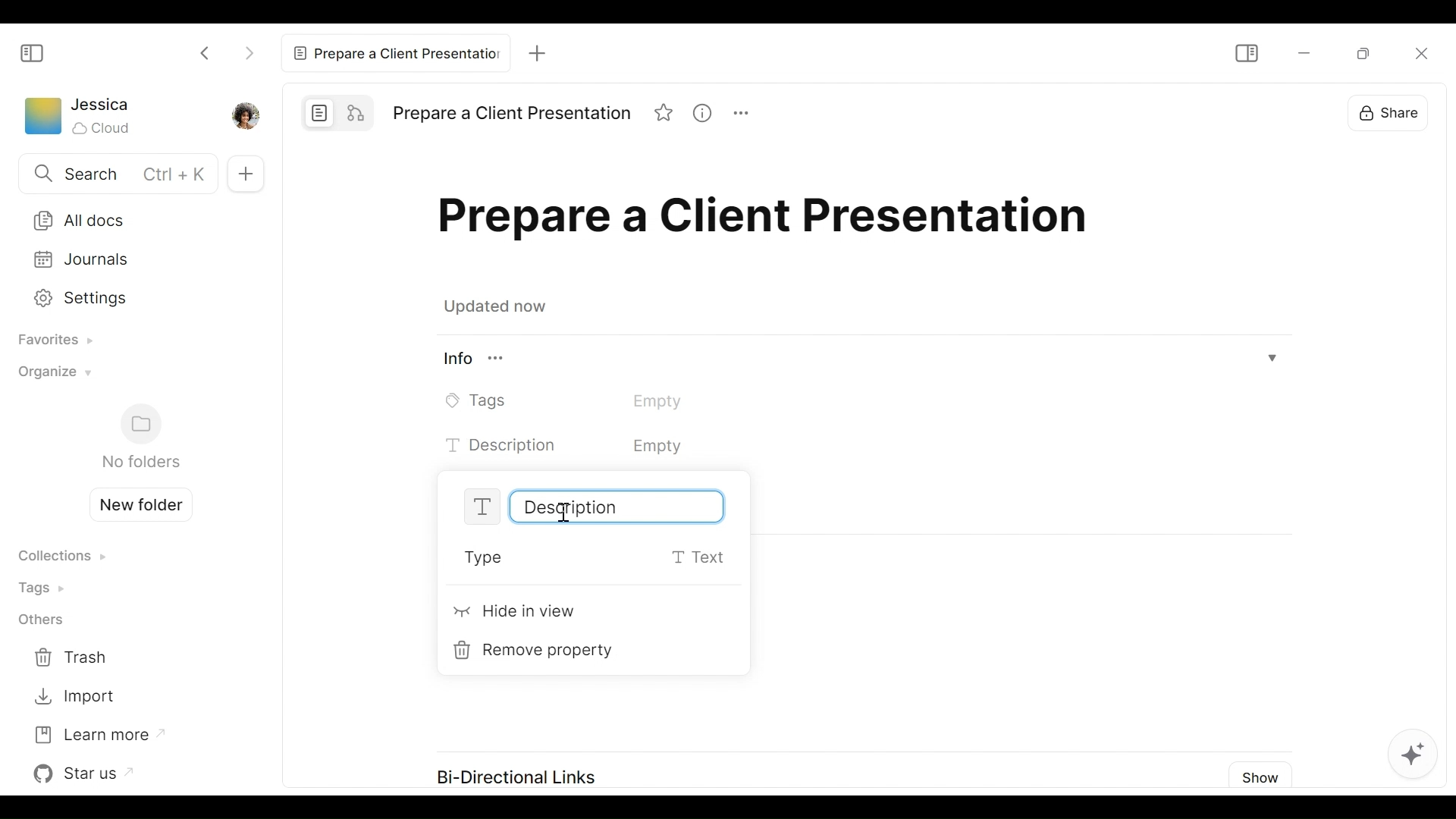 This screenshot has width=1456, height=819. Describe the element at coordinates (61, 557) in the screenshot. I see `Collections` at that location.